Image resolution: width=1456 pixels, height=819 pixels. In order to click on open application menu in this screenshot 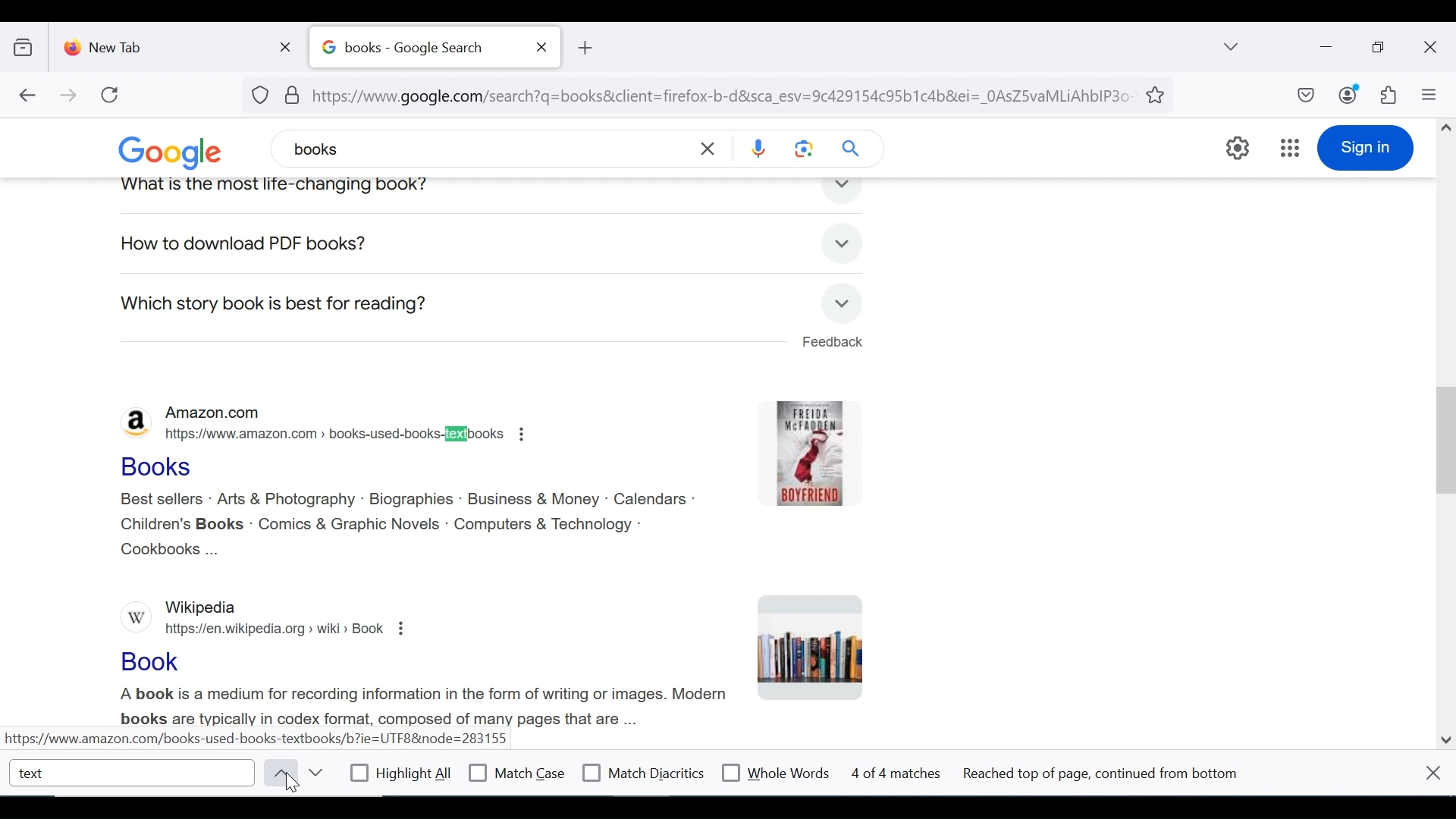, I will do `click(1428, 95)`.